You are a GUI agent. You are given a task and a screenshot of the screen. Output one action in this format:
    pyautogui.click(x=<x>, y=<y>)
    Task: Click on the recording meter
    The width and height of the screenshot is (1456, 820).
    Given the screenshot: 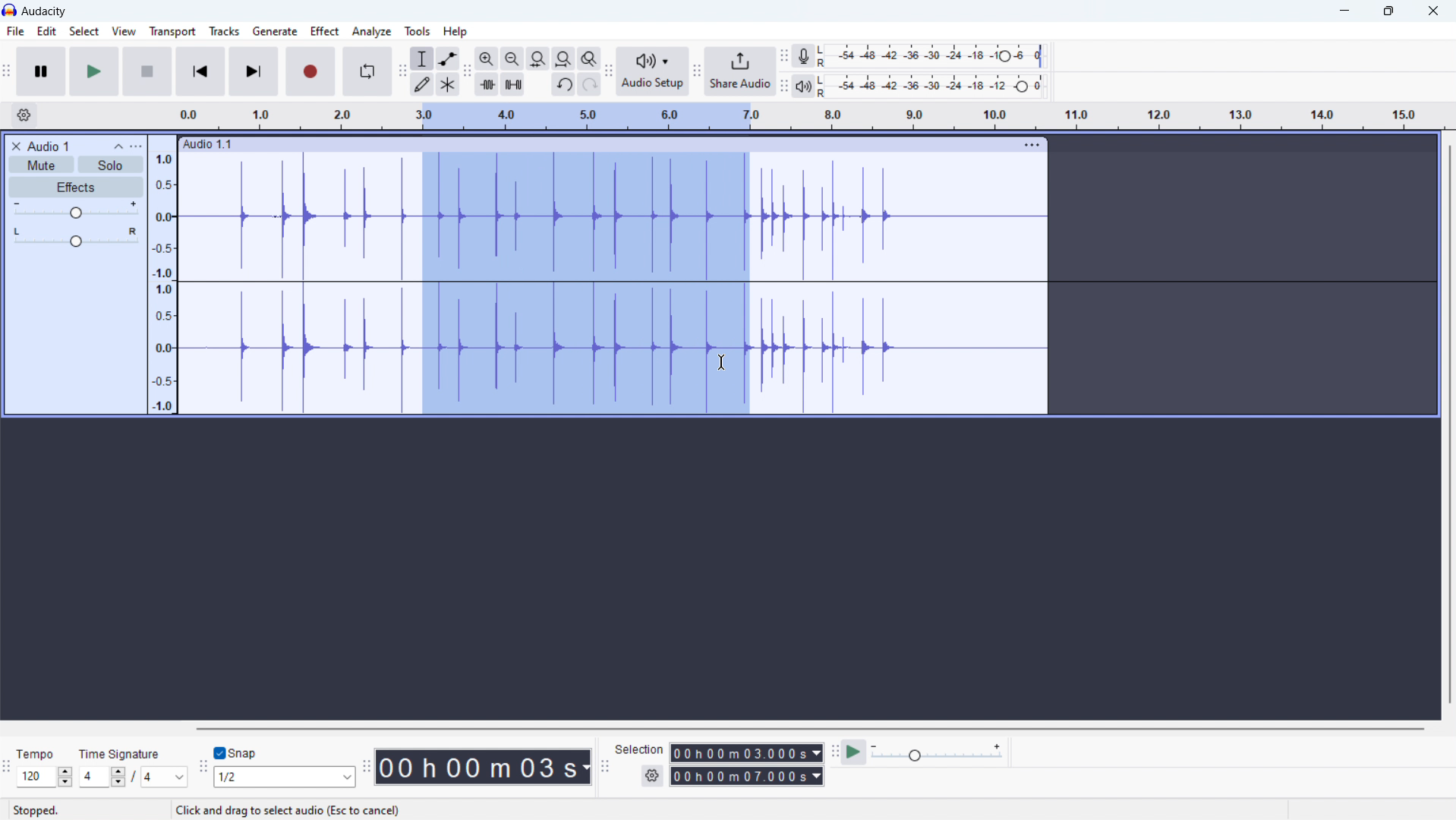 What is the action you would take?
    pyautogui.click(x=808, y=55)
    